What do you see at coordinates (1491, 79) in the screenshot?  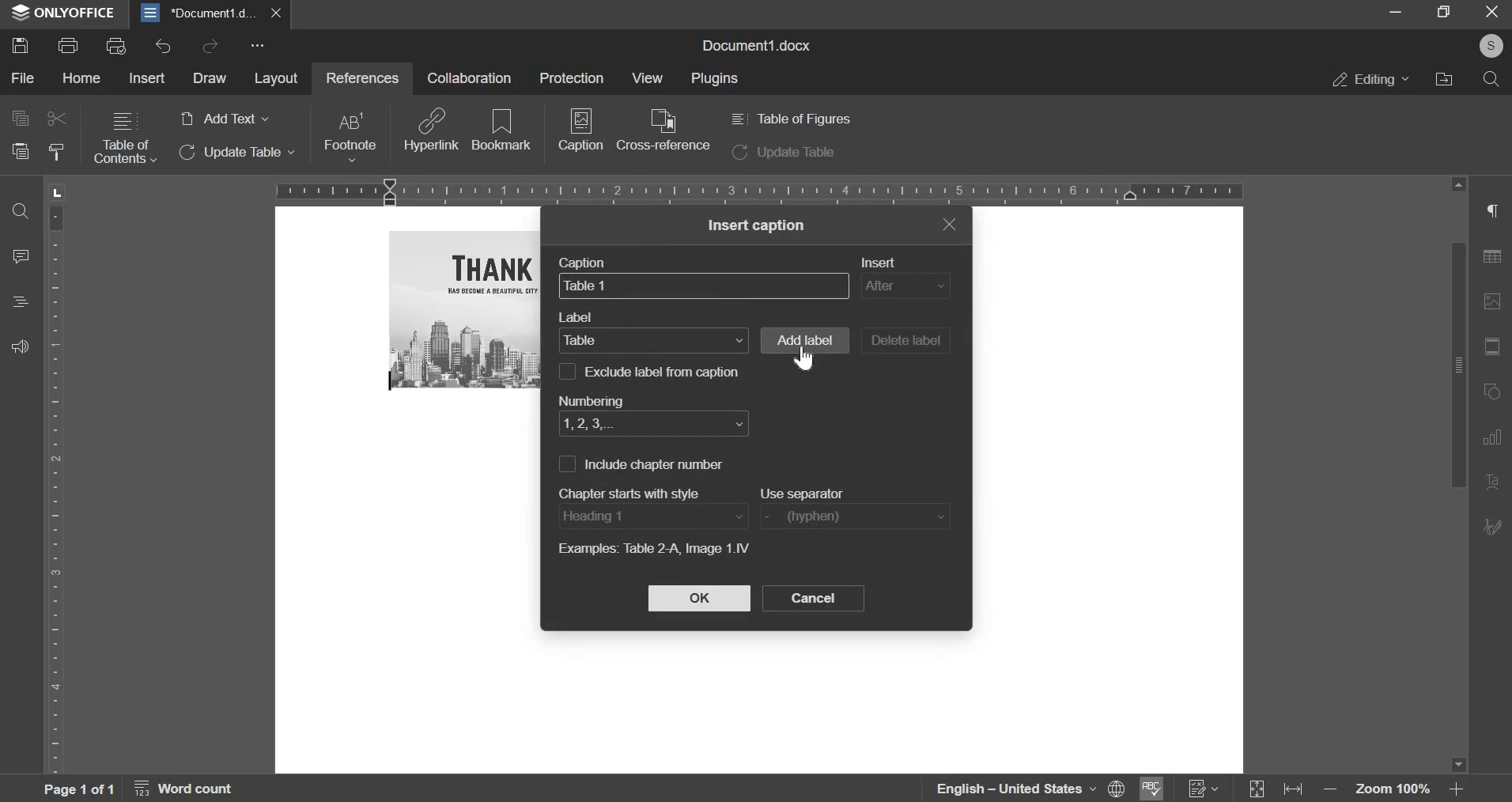 I see `search` at bounding box center [1491, 79].